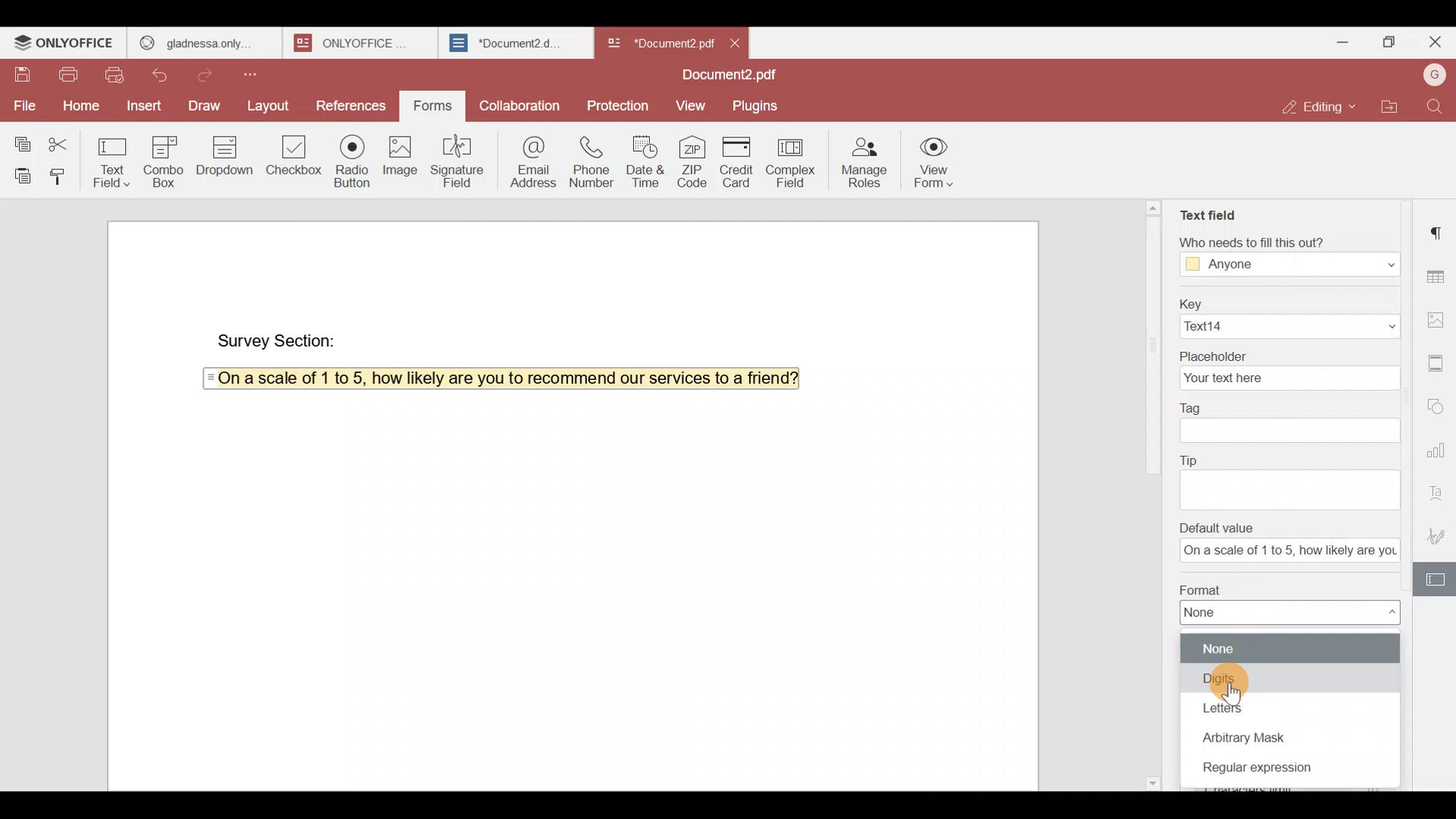  Describe the element at coordinates (1285, 552) in the screenshot. I see `textbox` at that location.